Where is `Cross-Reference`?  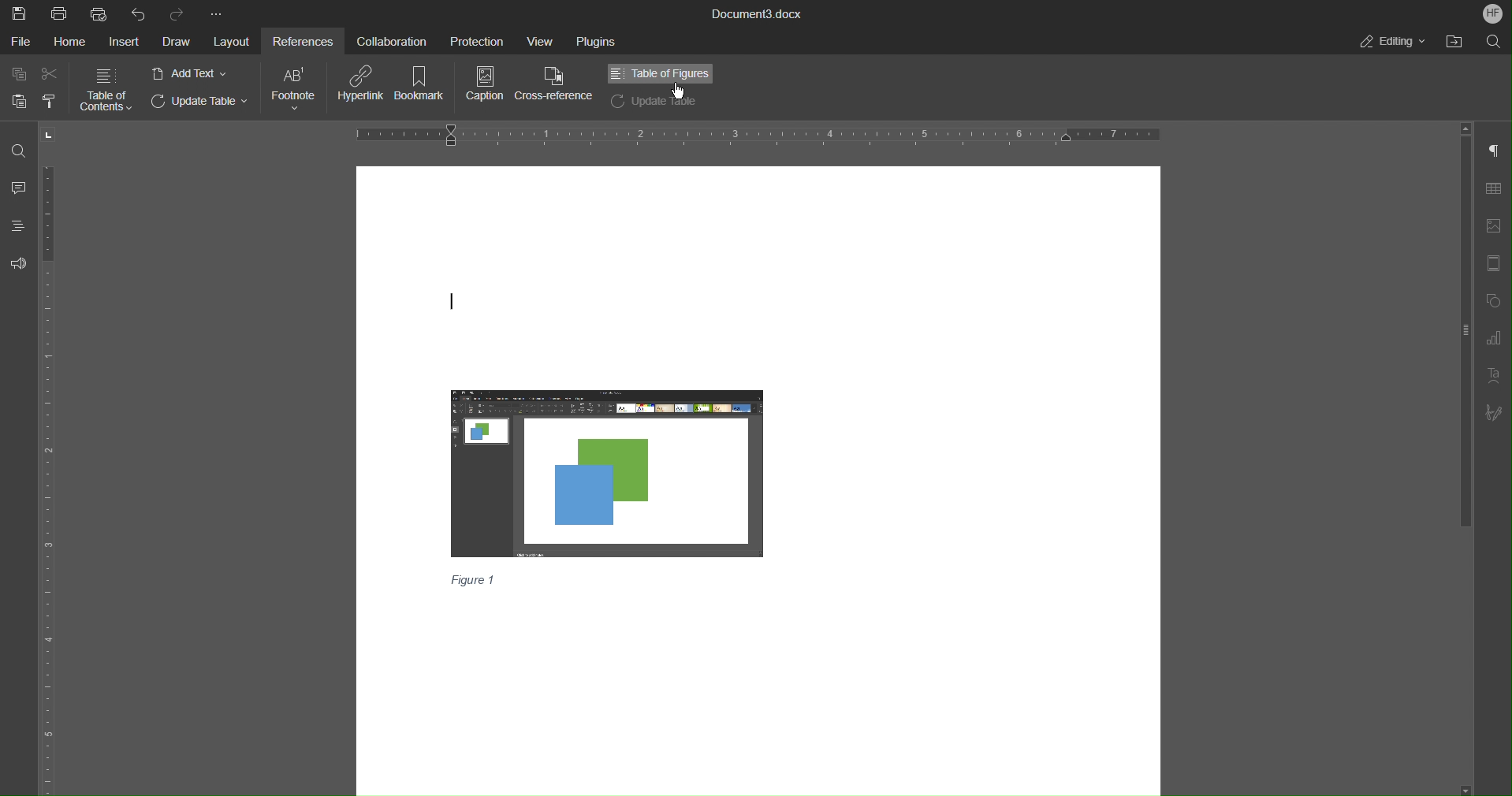
Cross-Reference is located at coordinates (557, 85).